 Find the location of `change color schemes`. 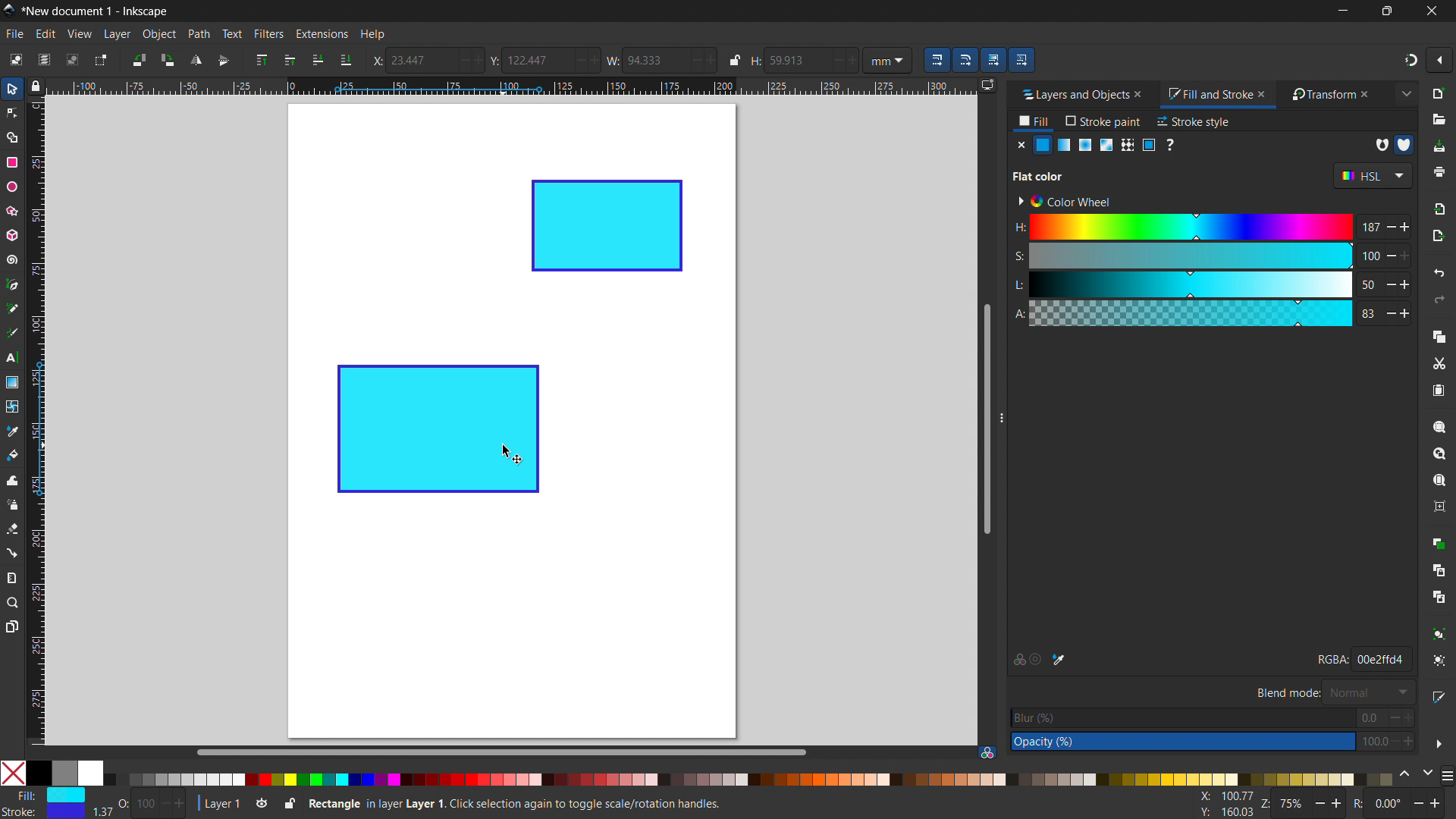

change color schemes is located at coordinates (1415, 774).